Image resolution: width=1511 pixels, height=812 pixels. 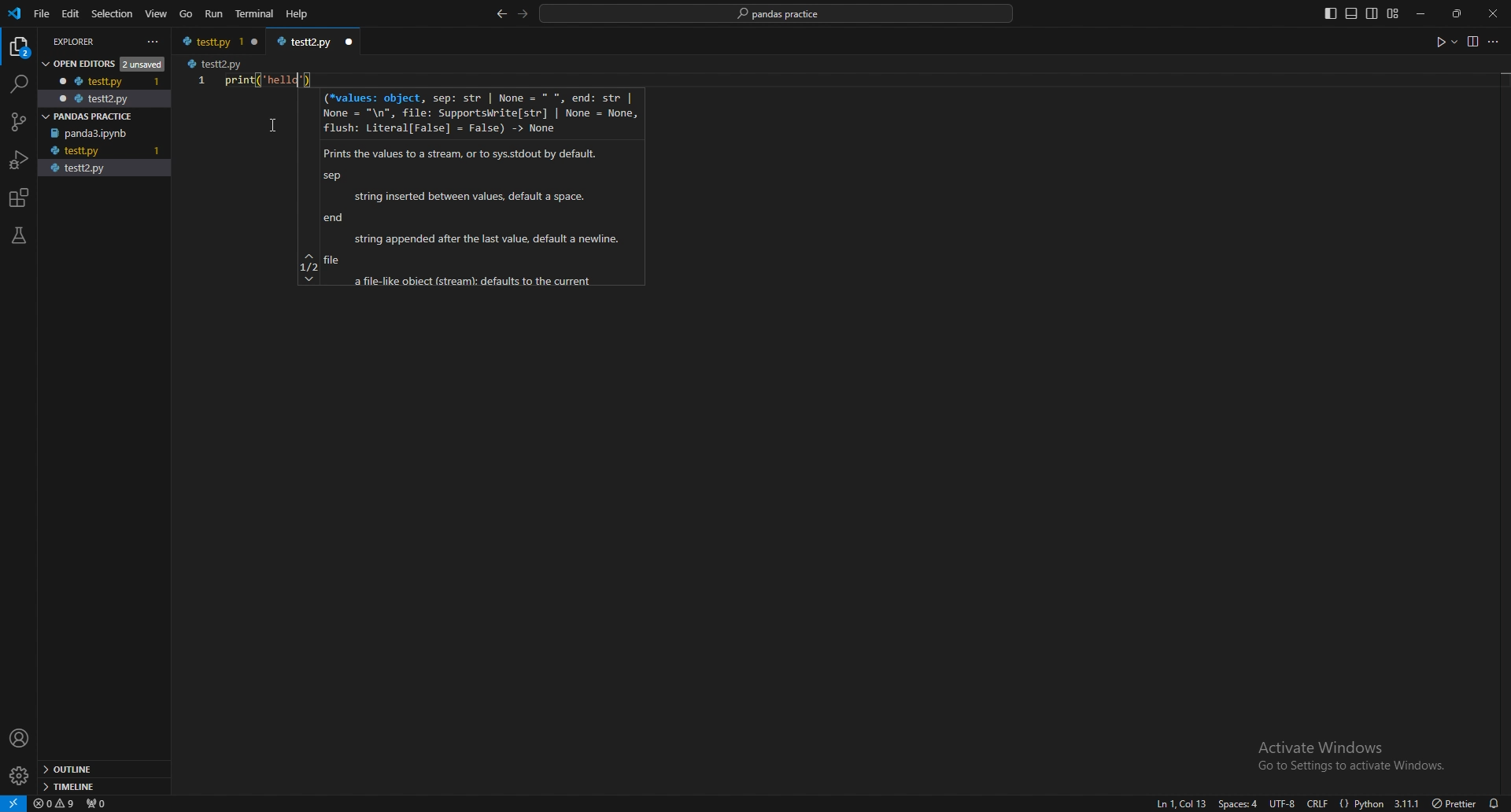 I want to click on toggle secondary side bar, so click(x=1372, y=13).